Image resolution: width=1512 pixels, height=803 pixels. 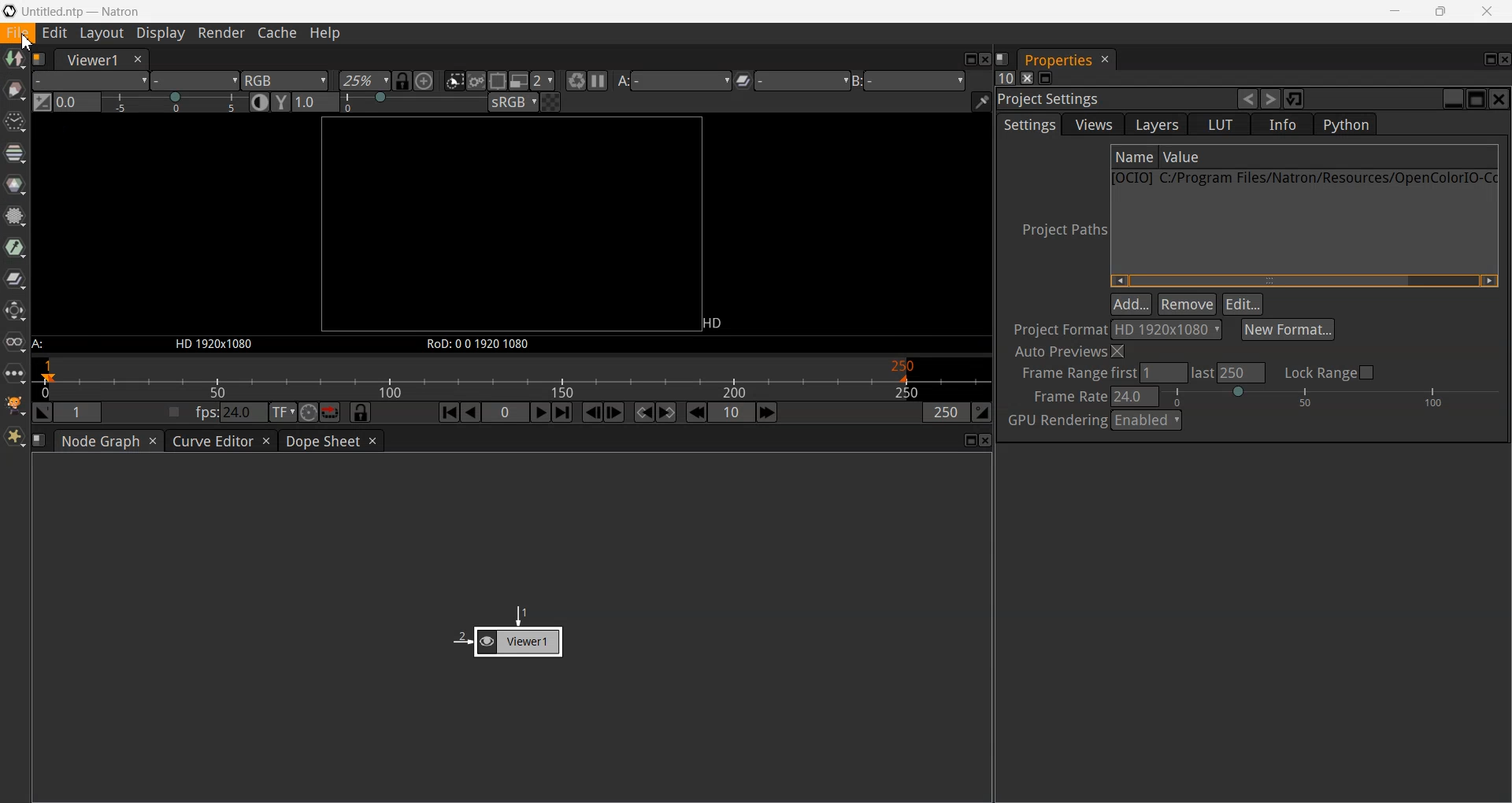 I want to click on Clips the image, so click(x=454, y=80).